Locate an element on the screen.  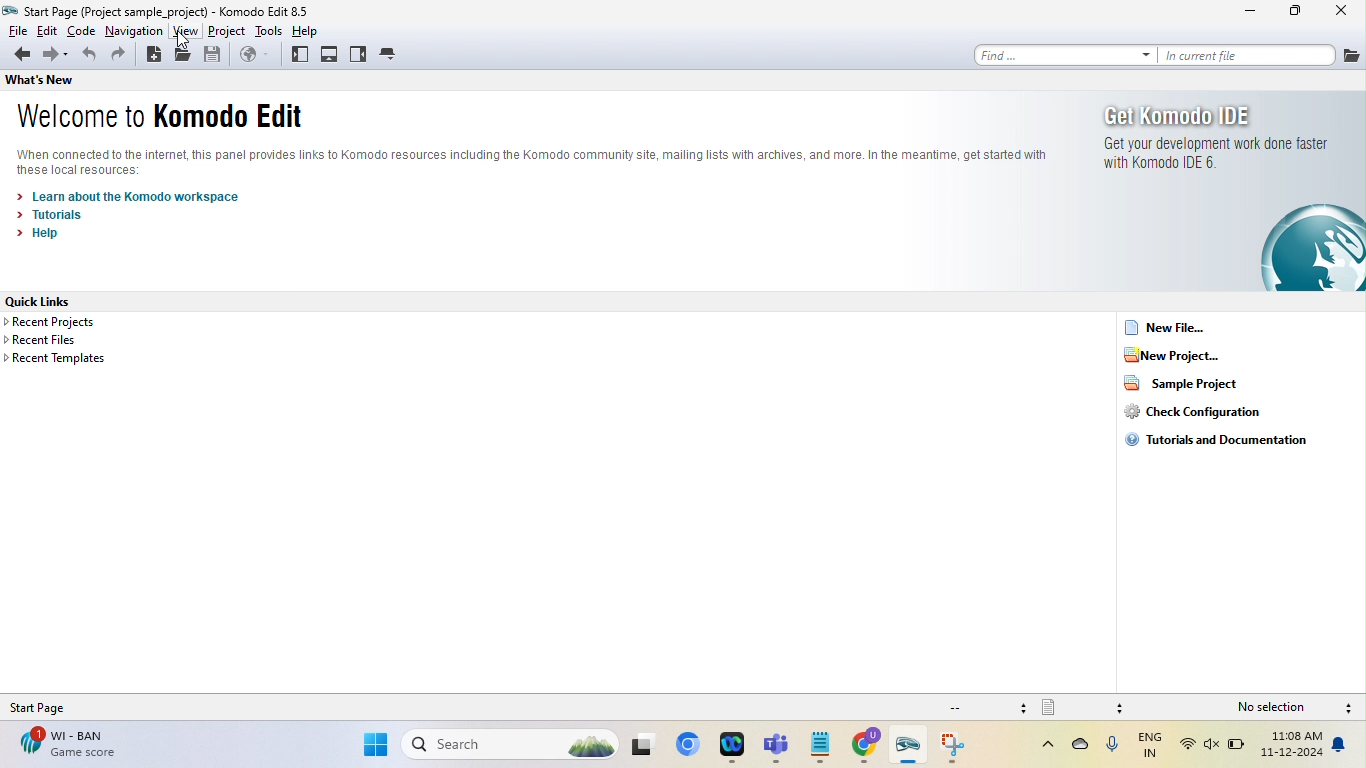
wi ban game score is located at coordinates (65, 744).